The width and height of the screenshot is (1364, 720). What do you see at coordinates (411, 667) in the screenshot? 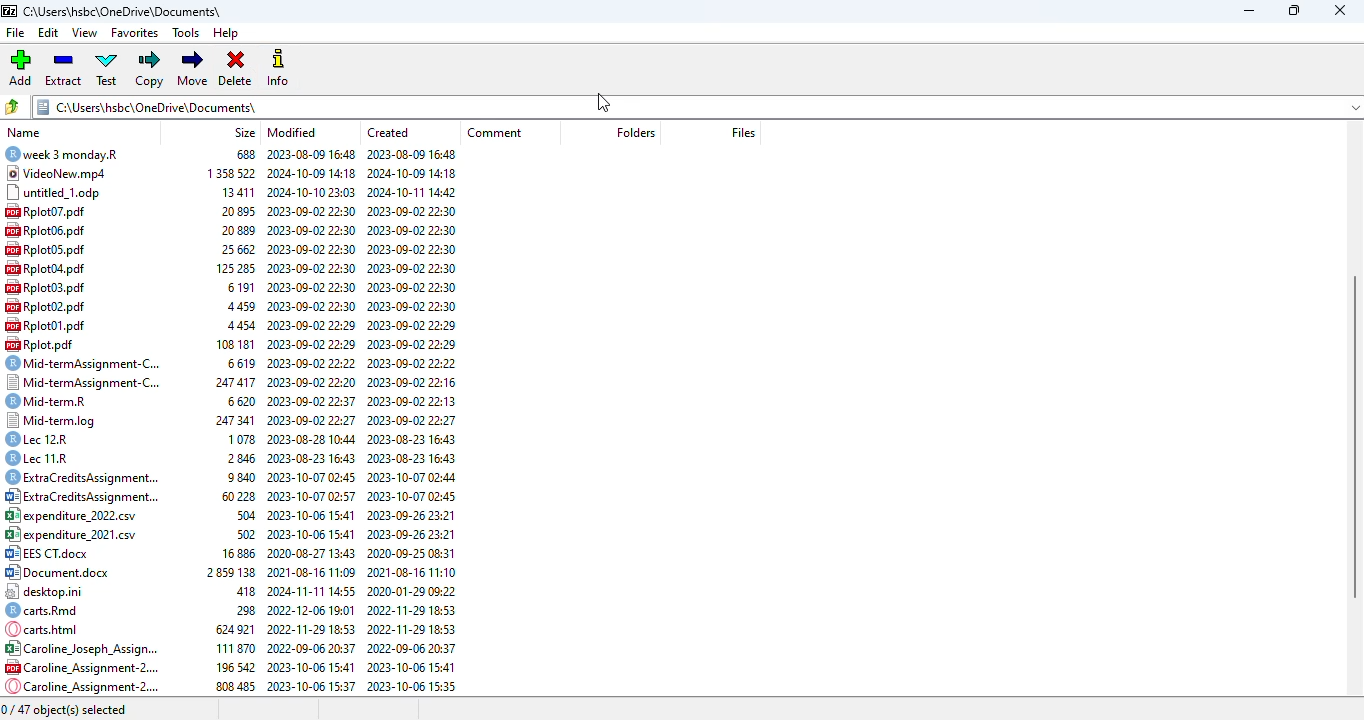
I see `2023-10-06 15:41` at bounding box center [411, 667].